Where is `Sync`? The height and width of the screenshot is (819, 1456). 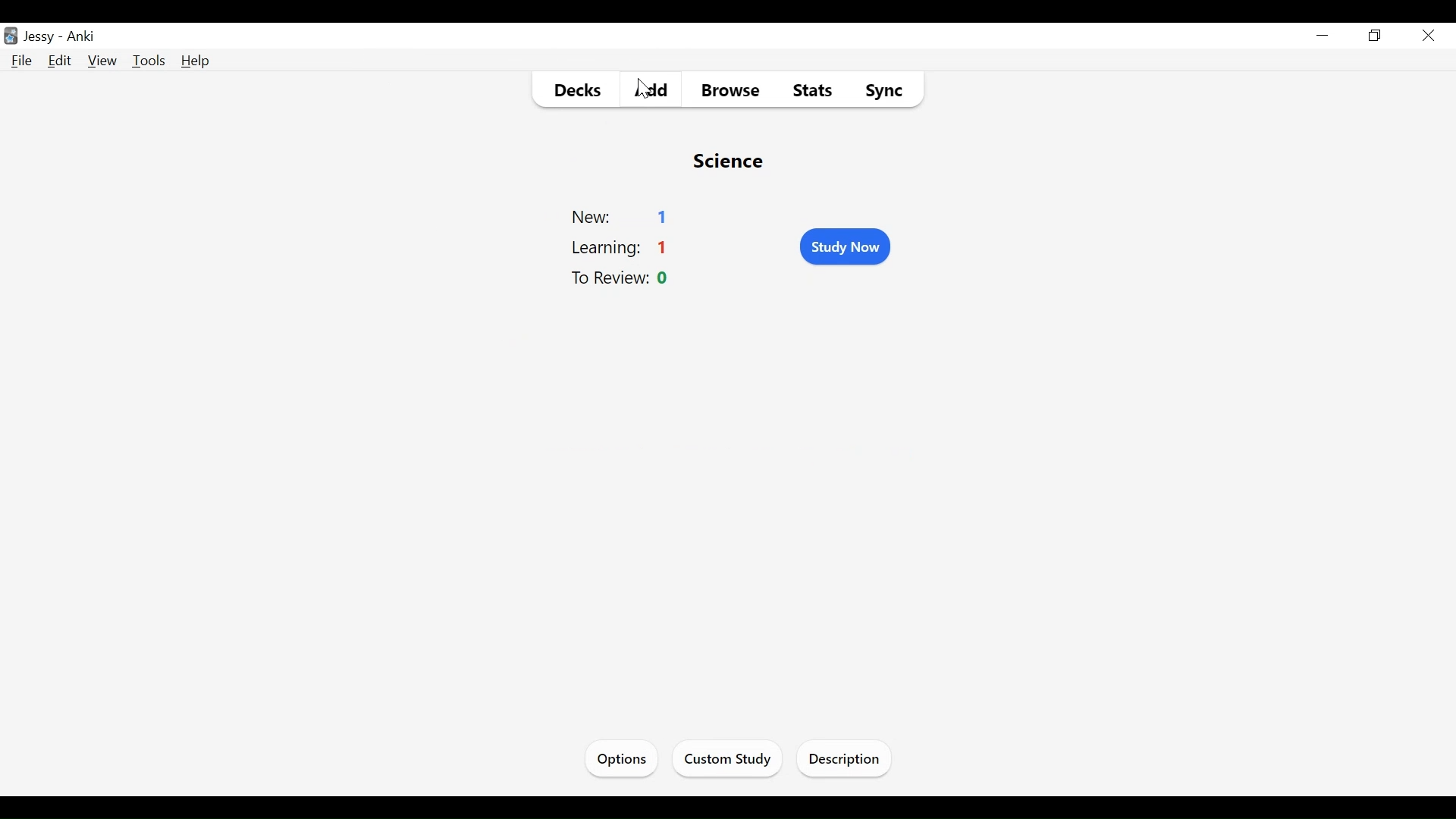 Sync is located at coordinates (885, 90).